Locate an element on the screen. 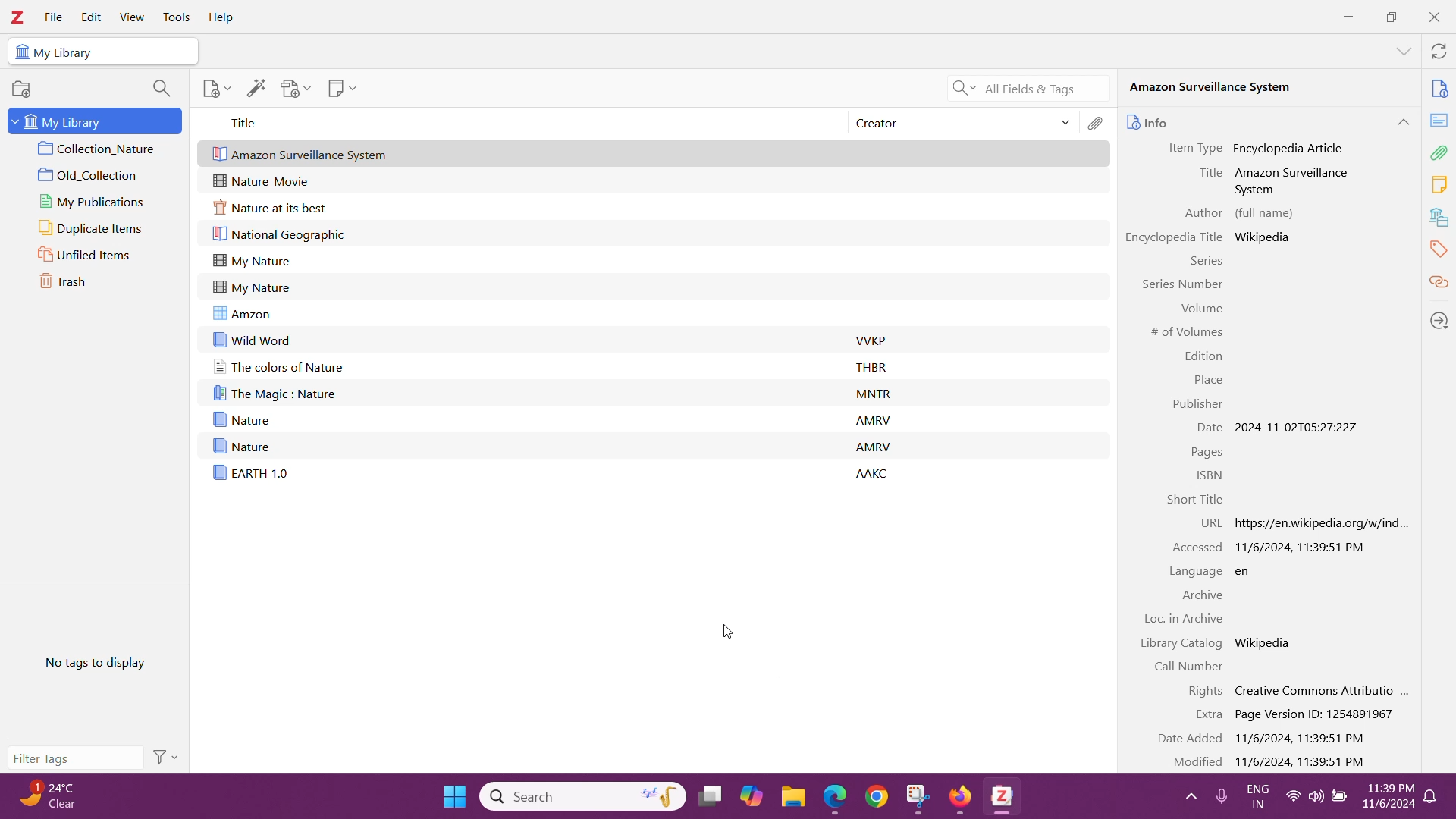 The width and height of the screenshot is (1456, 819). microphone is located at coordinates (1219, 798).